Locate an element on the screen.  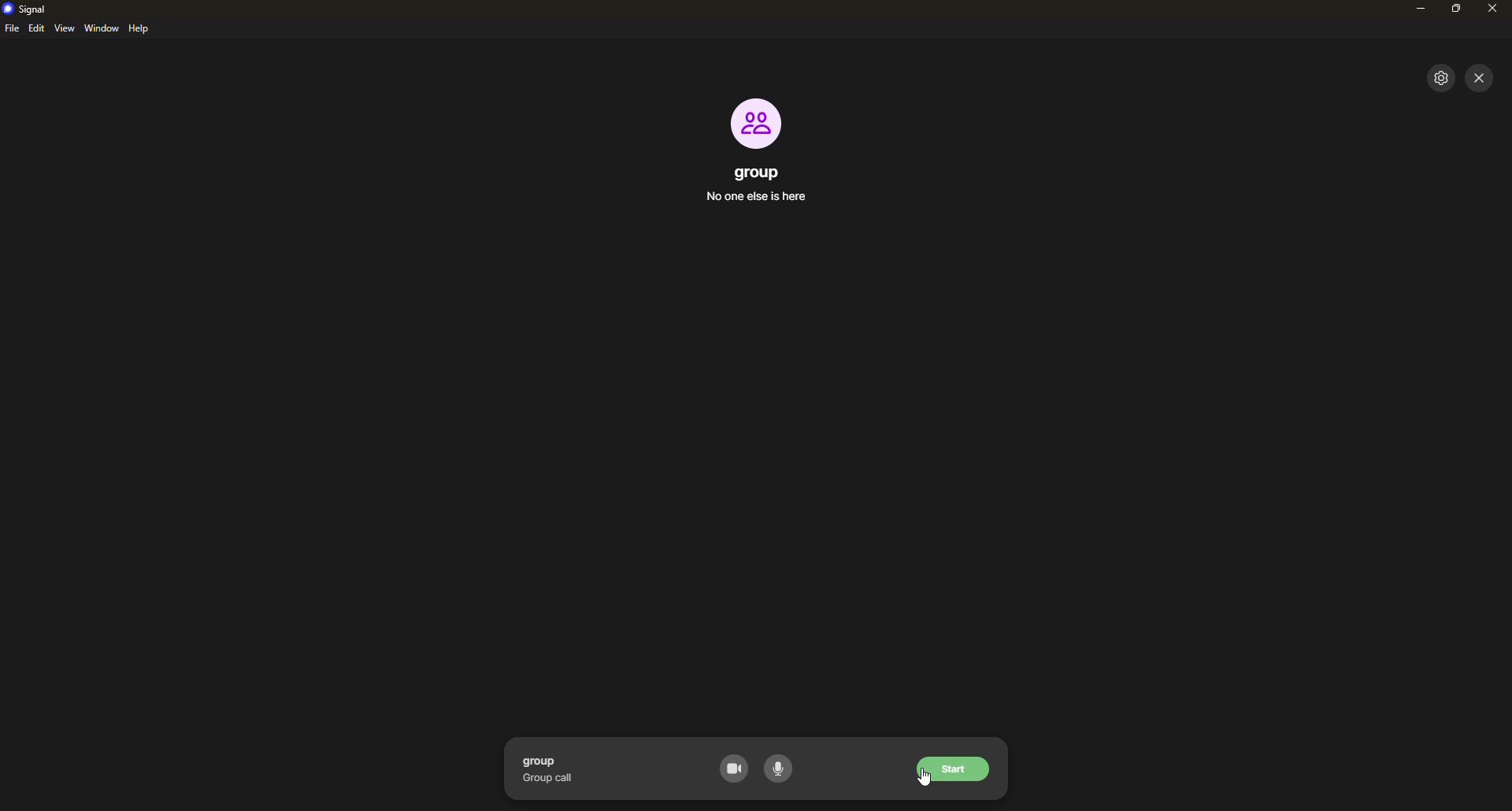
maximize is located at coordinates (1458, 9).